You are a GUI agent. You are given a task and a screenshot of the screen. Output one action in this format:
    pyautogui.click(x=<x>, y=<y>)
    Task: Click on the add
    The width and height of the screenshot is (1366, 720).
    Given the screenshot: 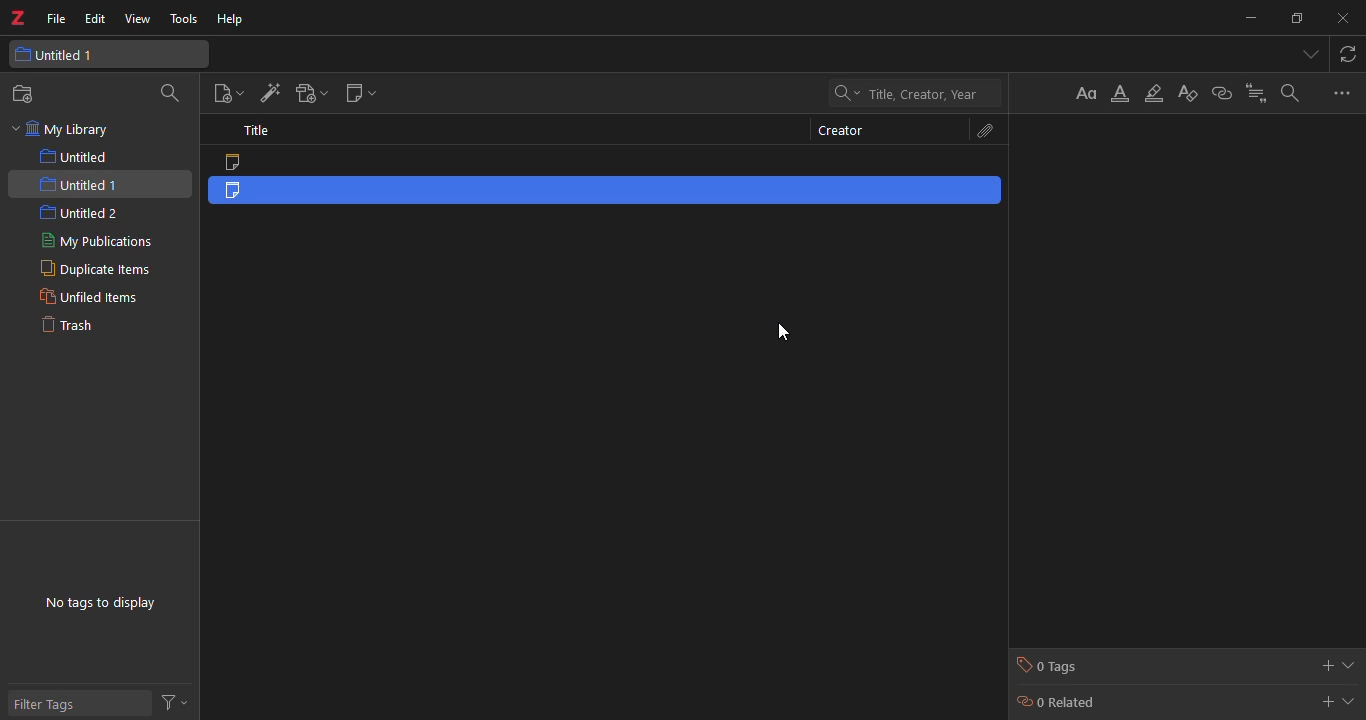 What is the action you would take?
    pyautogui.click(x=1325, y=701)
    